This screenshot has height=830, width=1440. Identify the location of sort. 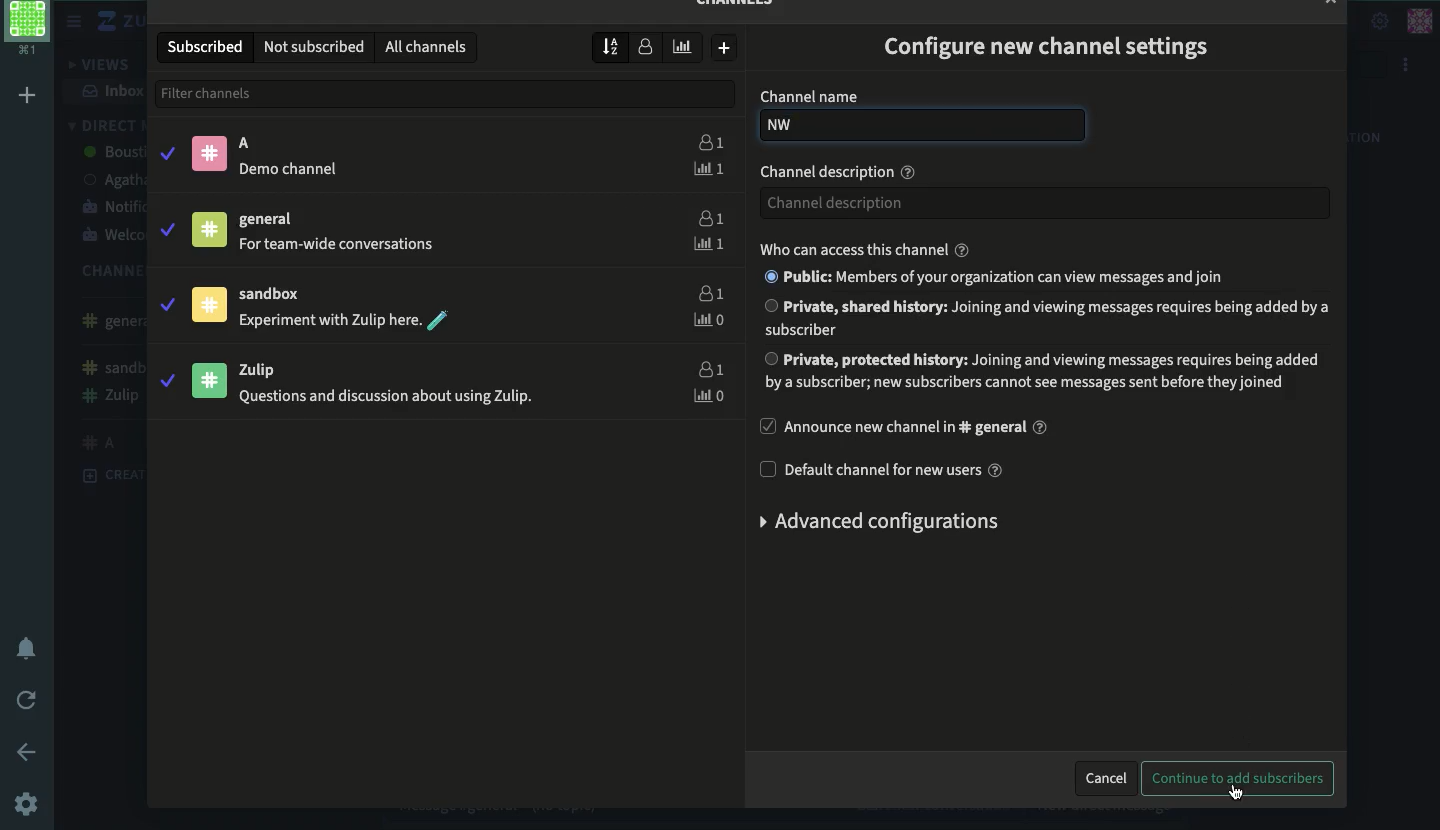
(610, 46).